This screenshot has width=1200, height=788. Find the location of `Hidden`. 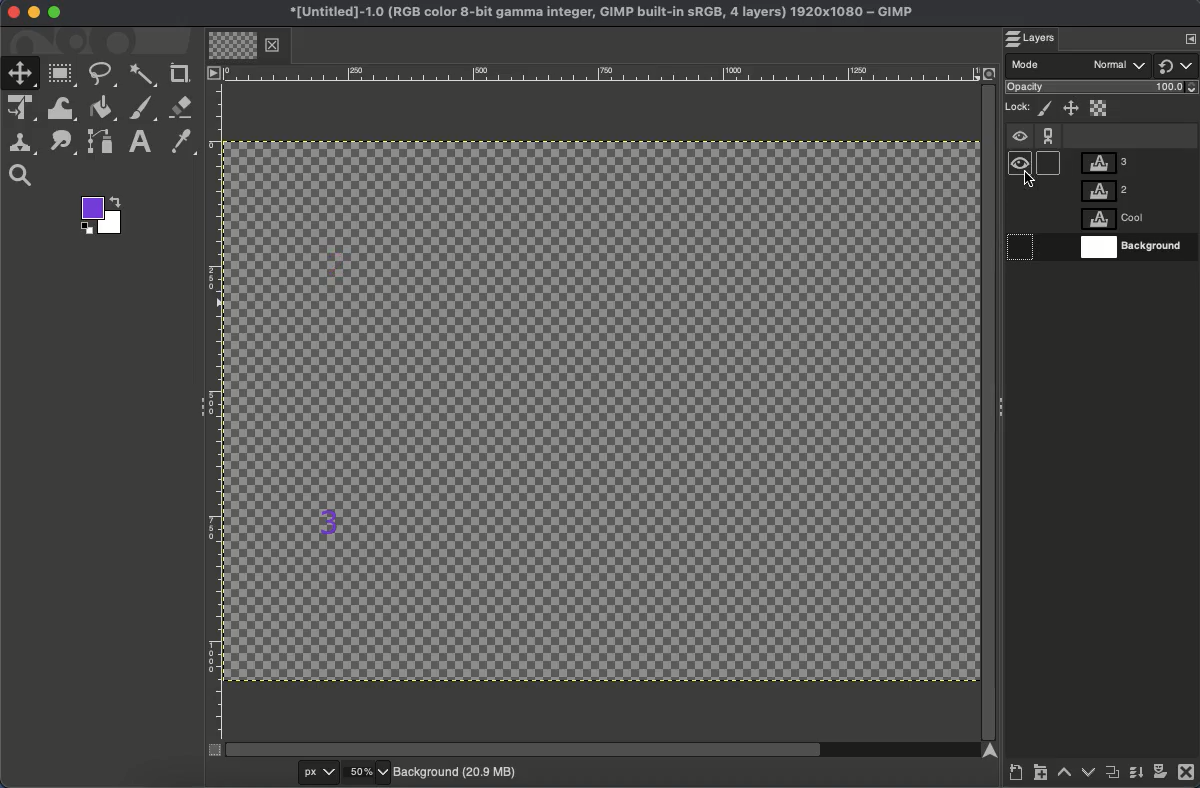

Hidden is located at coordinates (1024, 188).